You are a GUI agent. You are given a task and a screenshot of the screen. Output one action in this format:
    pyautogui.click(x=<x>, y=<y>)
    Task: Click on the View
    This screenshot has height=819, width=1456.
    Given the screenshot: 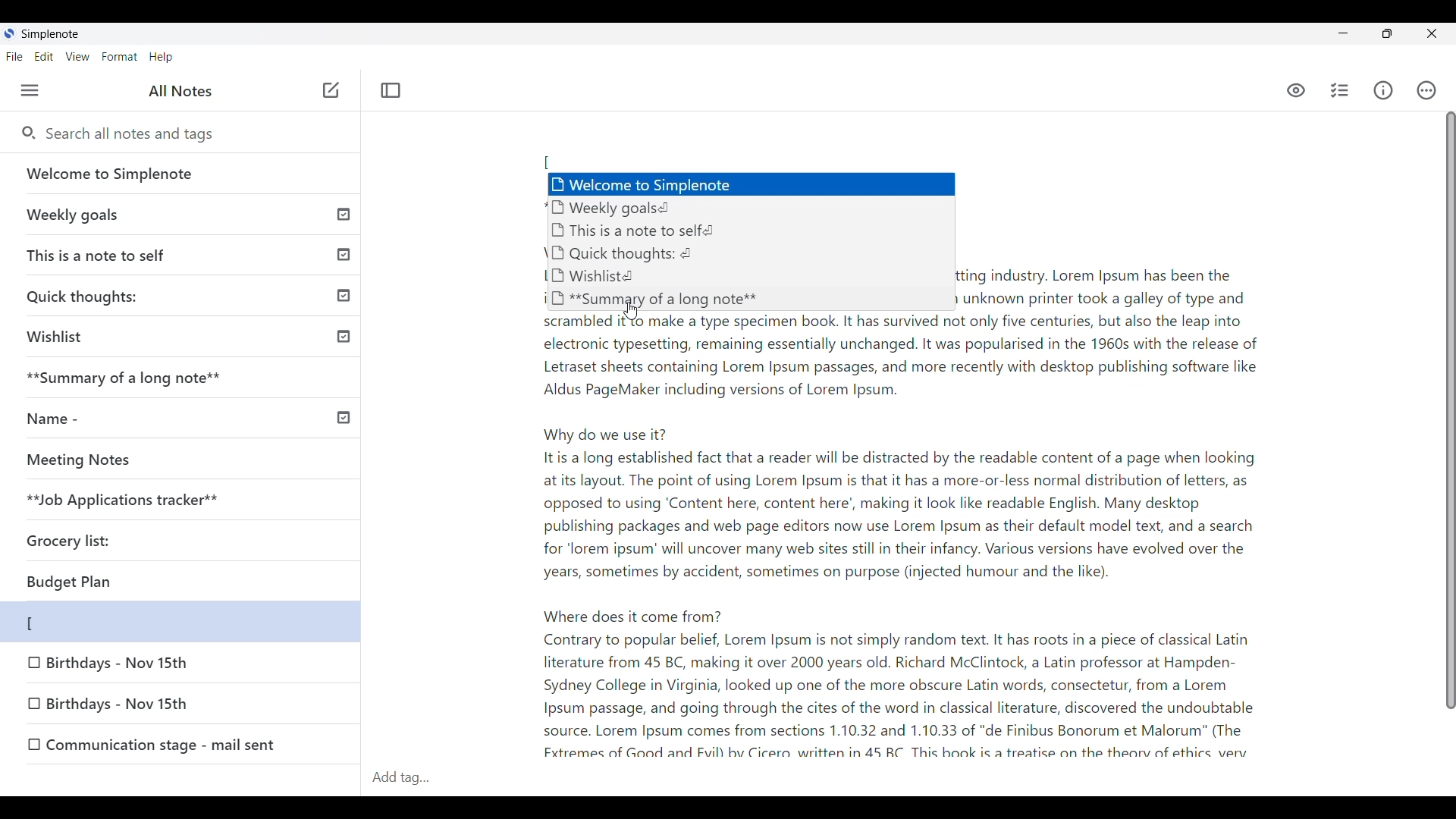 What is the action you would take?
    pyautogui.click(x=78, y=57)
    